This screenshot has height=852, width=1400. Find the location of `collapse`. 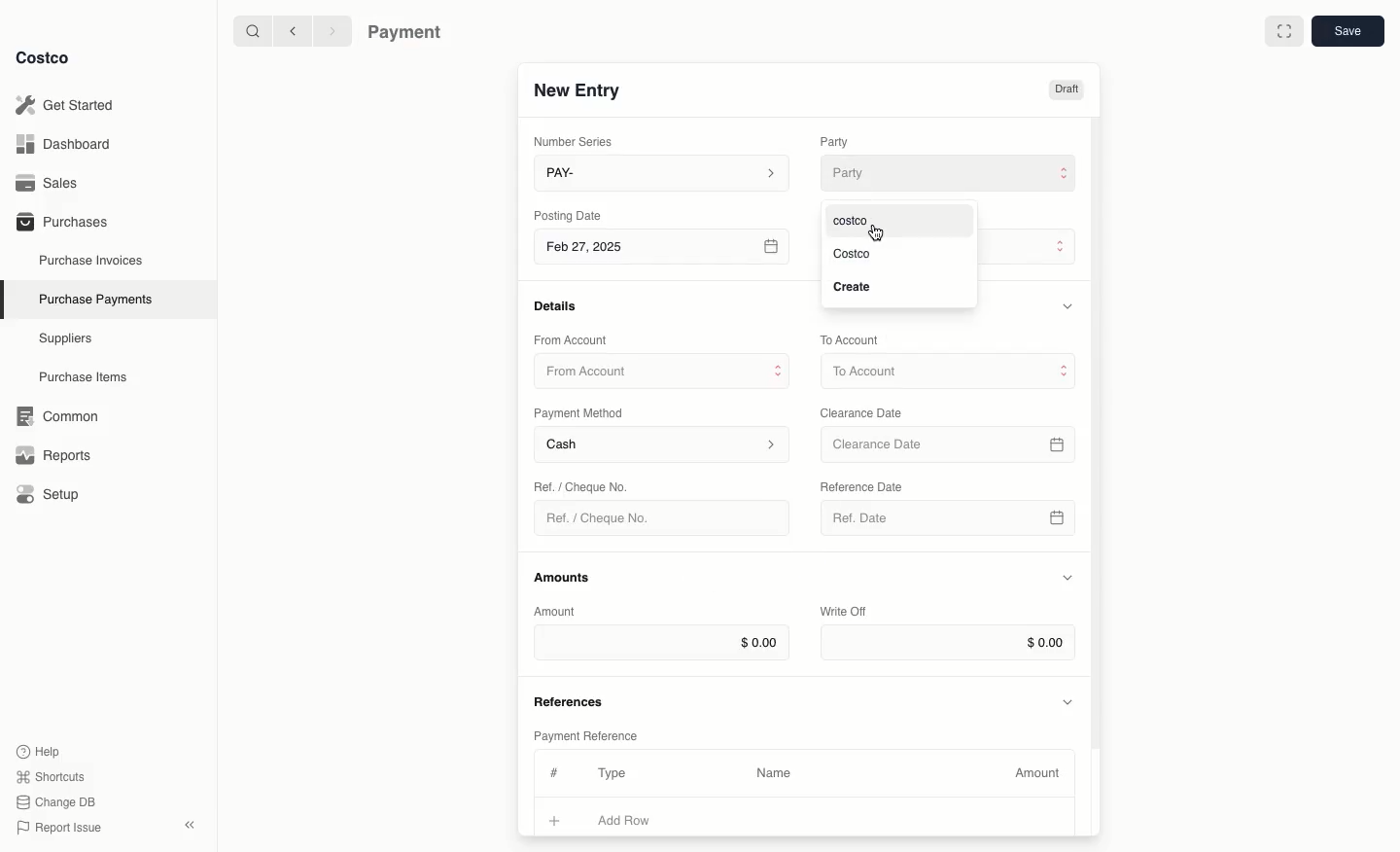

collapse is located at coordinates (189, 825).